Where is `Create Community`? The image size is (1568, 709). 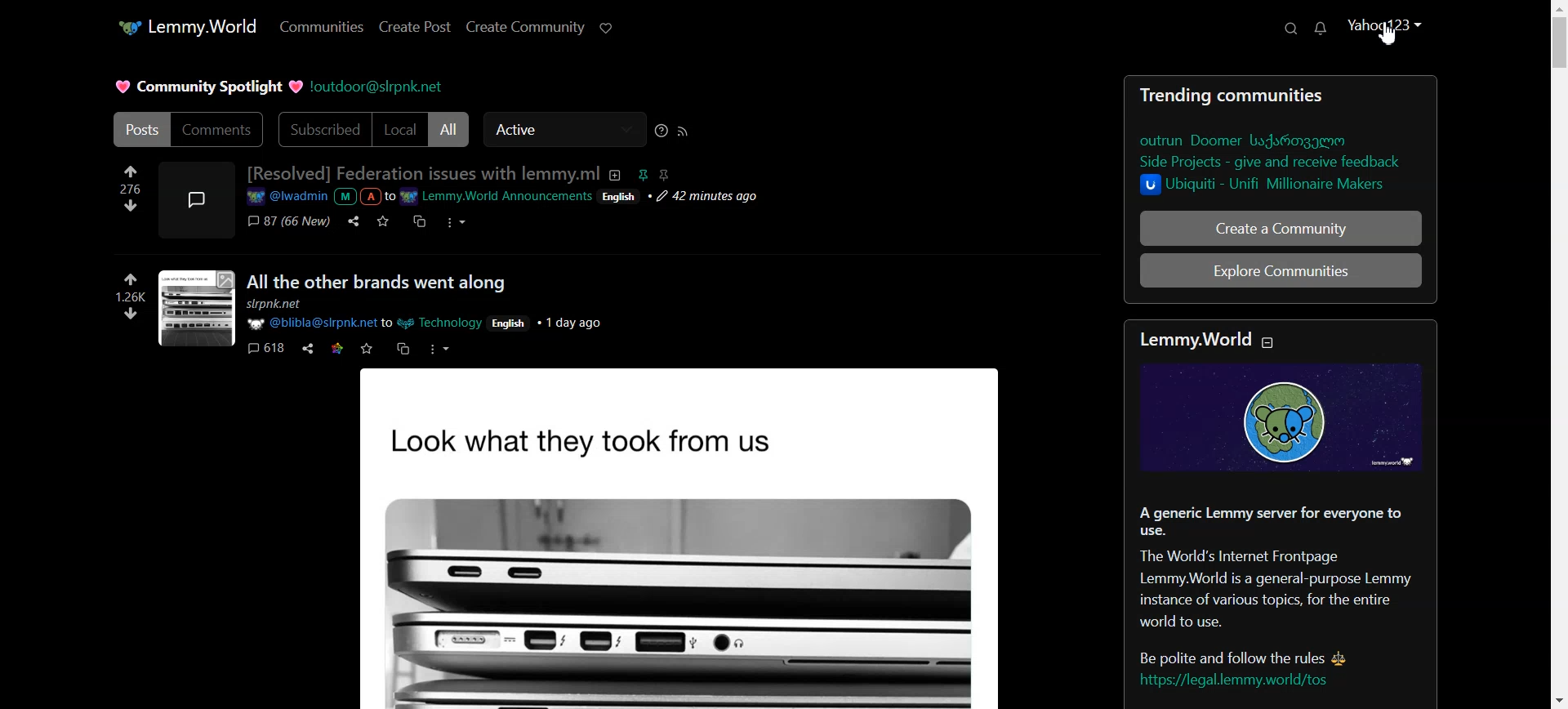 Create Community is located at coordinates (523, 29).